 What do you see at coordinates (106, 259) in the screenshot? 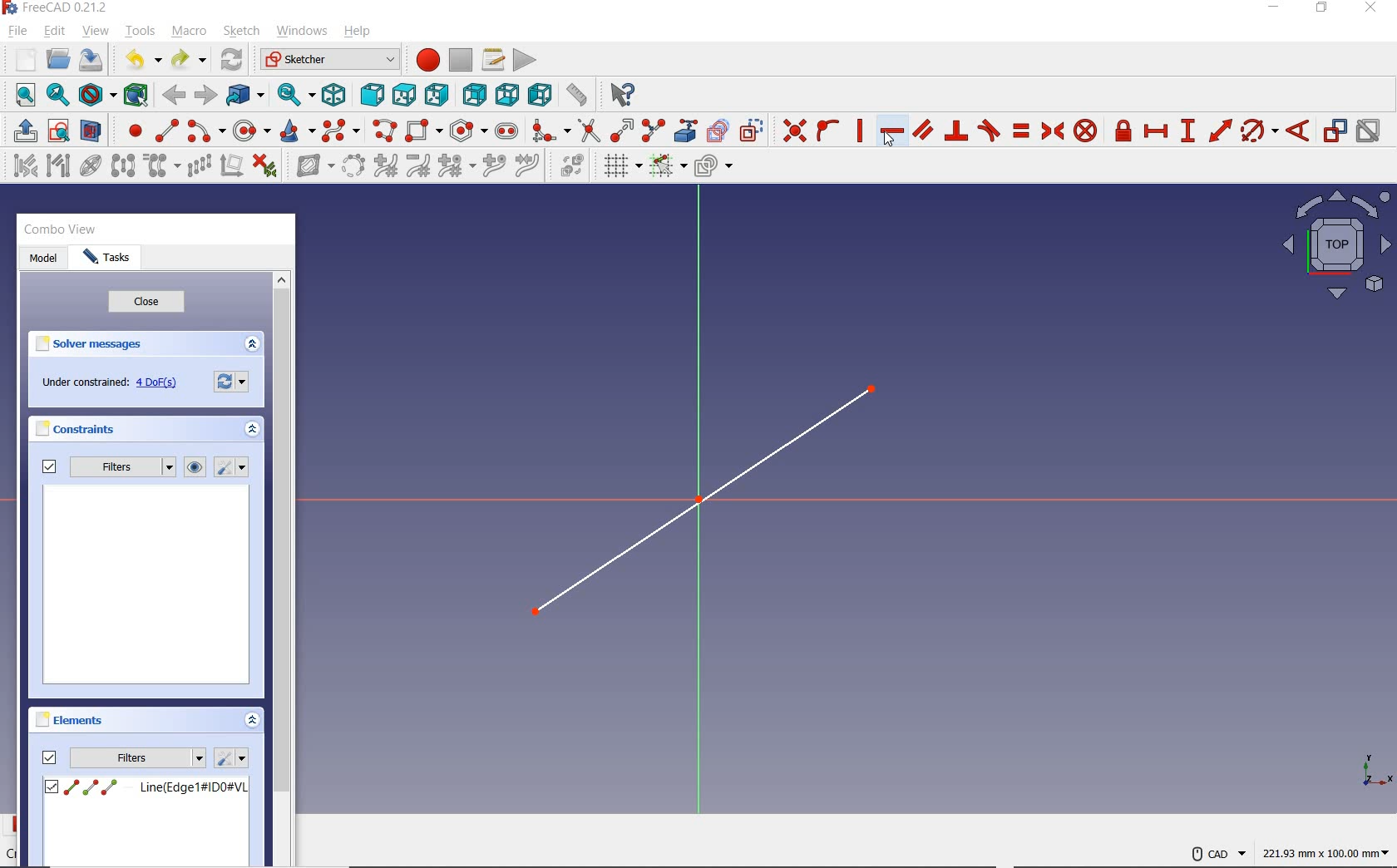
I see `TASKS` at bounding box center [106, 259].